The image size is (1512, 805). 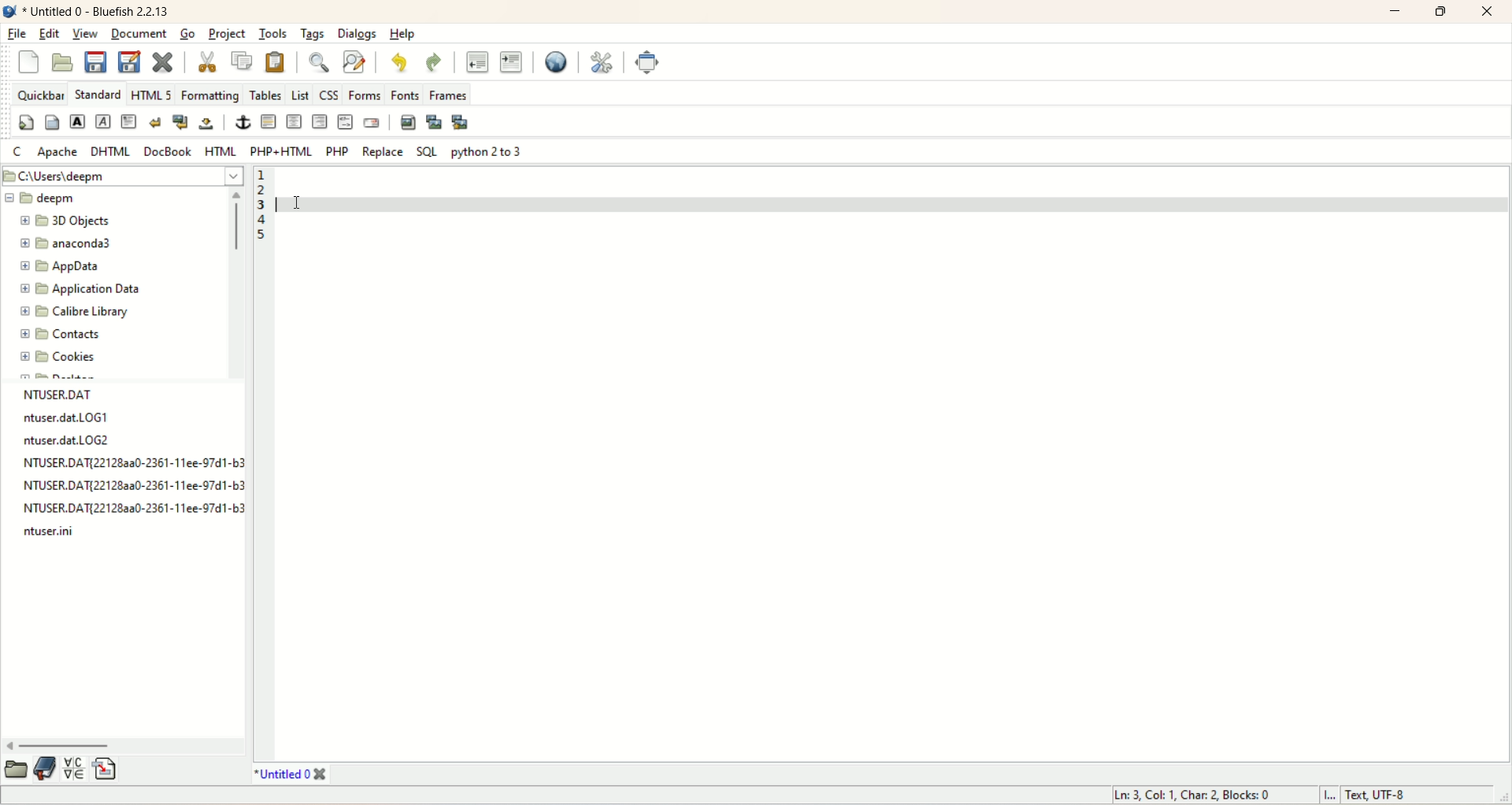 I want to click on file name, so click(x=111, y=392).